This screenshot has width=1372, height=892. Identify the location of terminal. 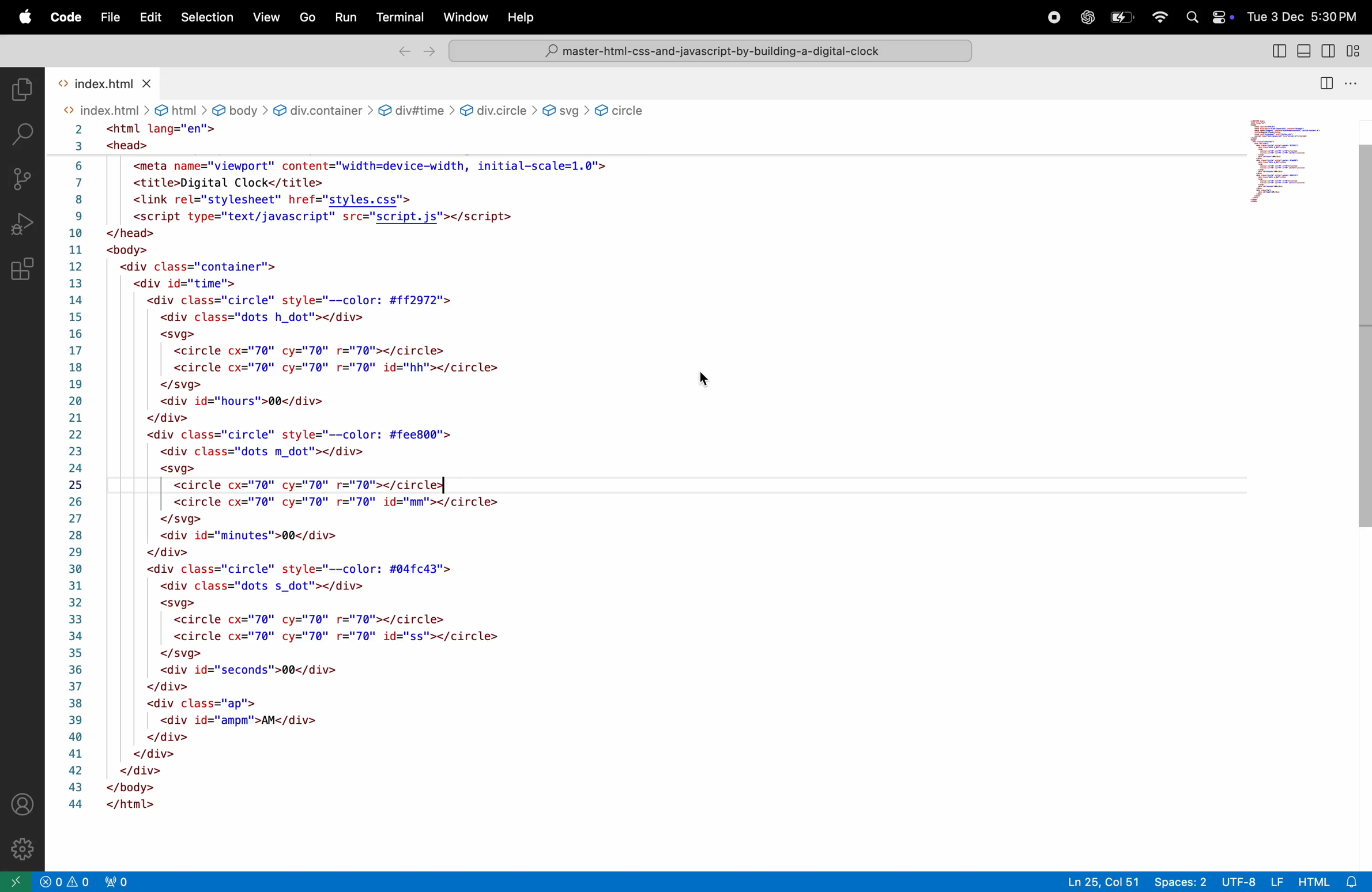
(400, 18).